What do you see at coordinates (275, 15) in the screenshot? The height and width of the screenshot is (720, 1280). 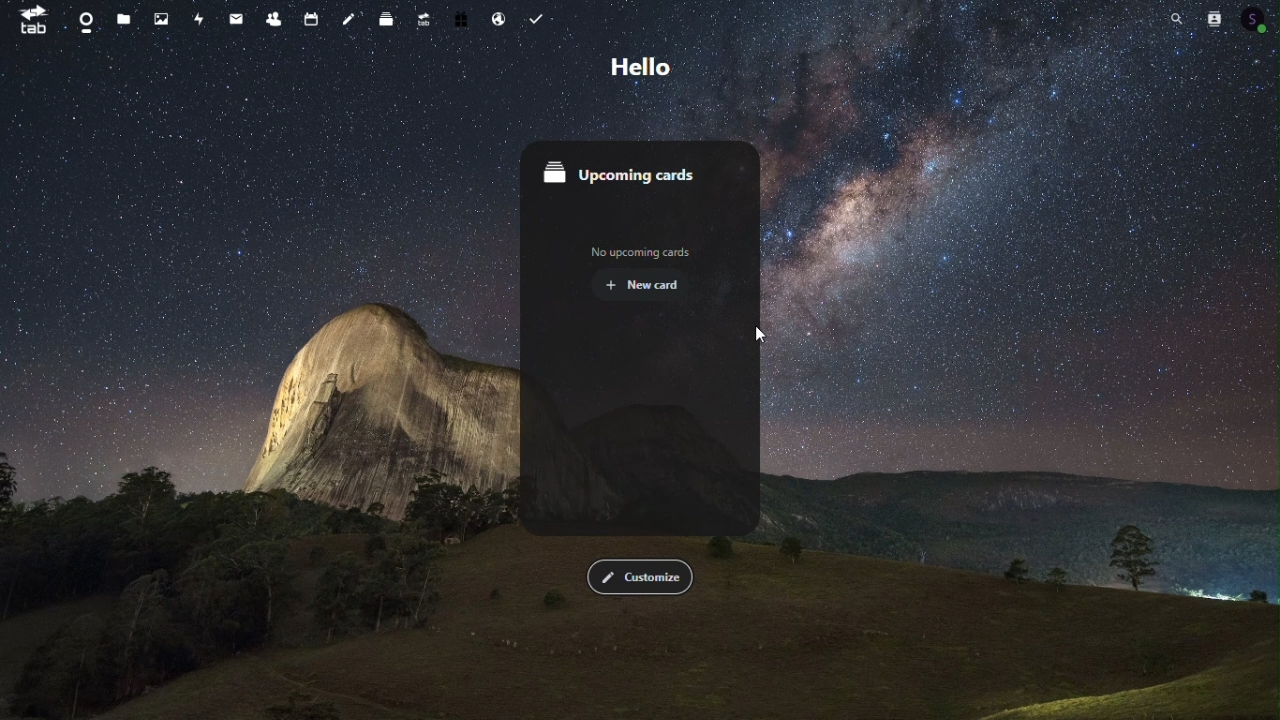 I see `Contacts` at bounding box center [275, 15].